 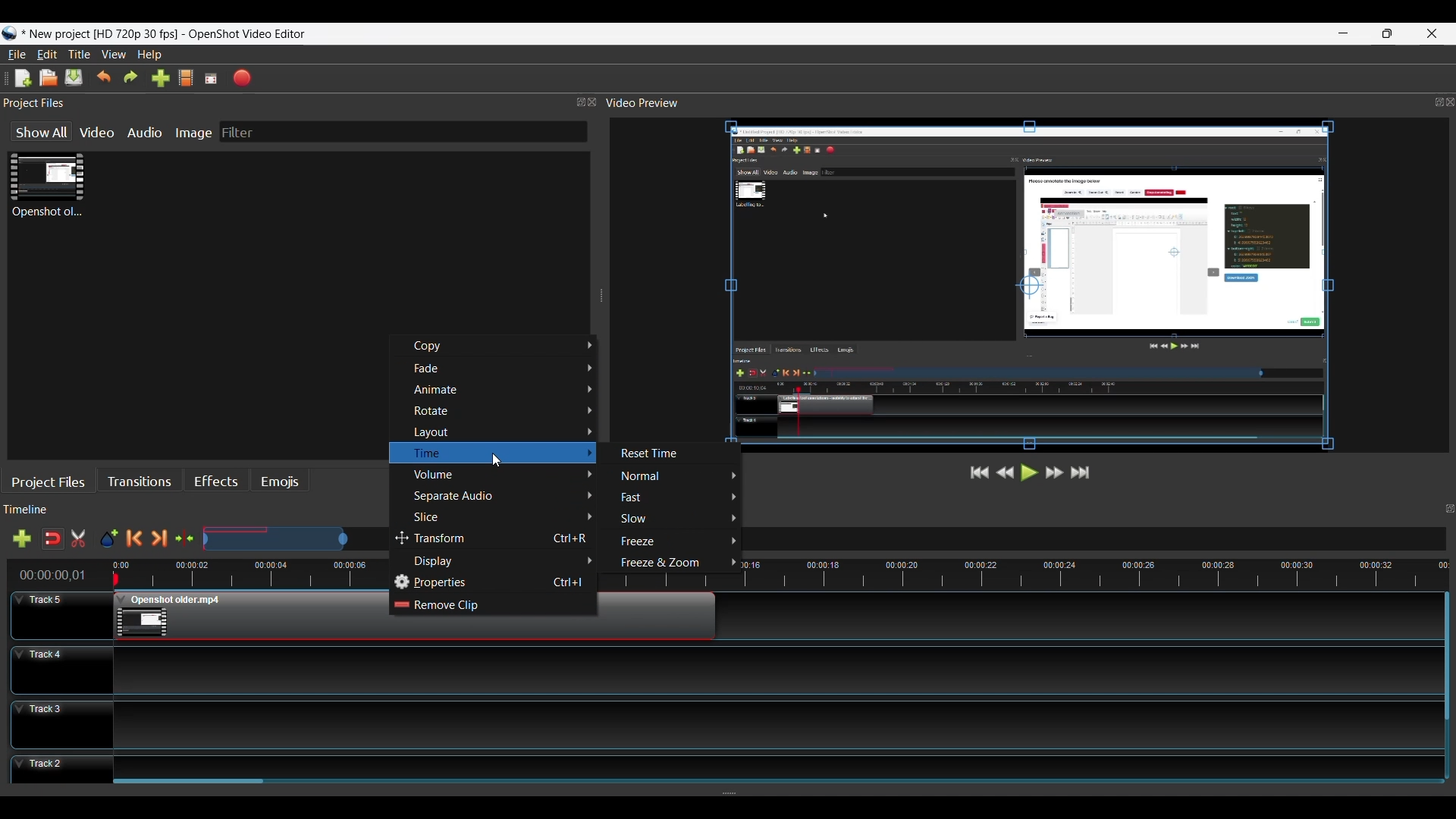 I want to click on Filter, so click(x=237, y=132).